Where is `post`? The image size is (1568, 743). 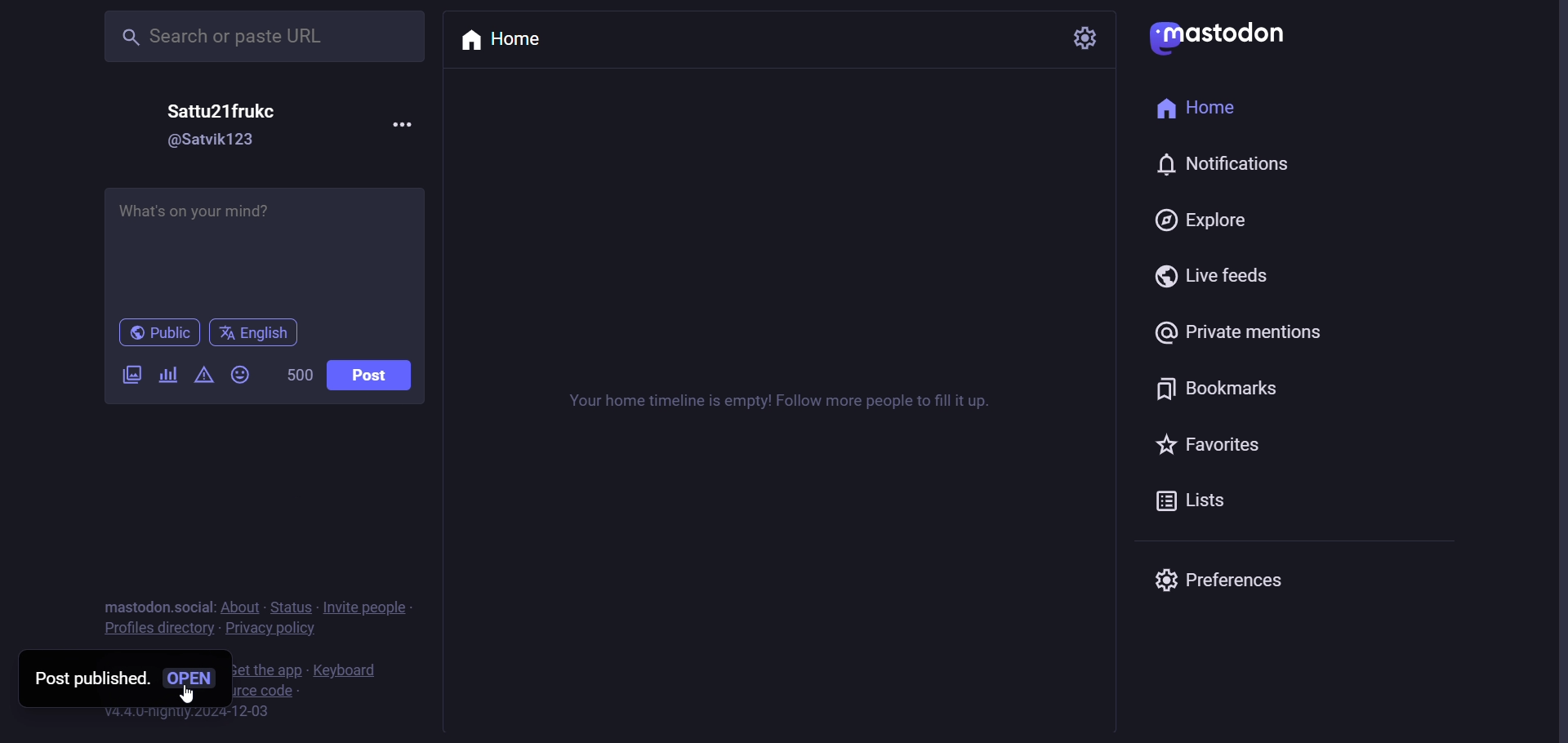 post is located at coordinates (368, 376).